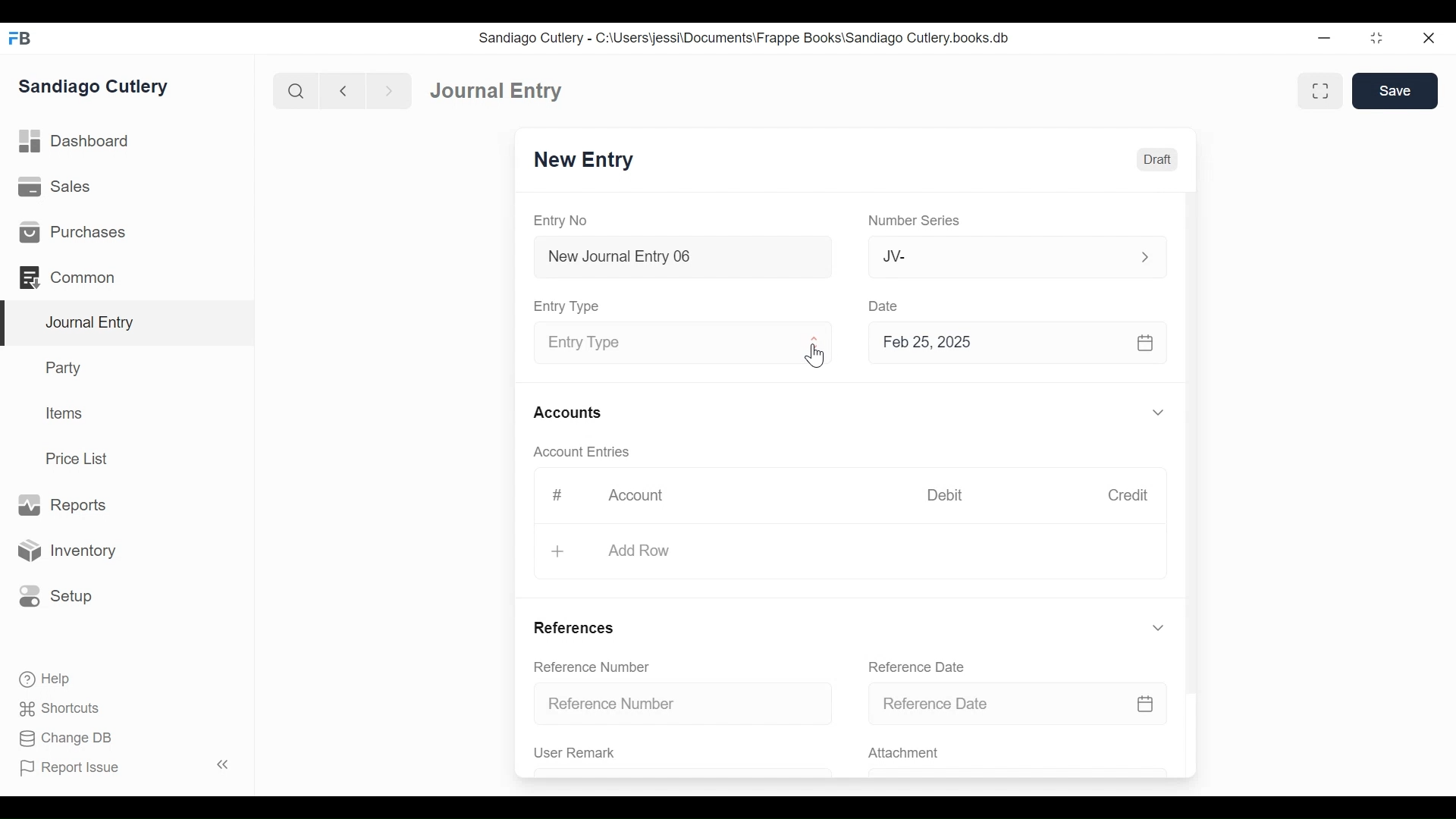 The image size is (1456, 819). I want to click on References, so click(573, 627).